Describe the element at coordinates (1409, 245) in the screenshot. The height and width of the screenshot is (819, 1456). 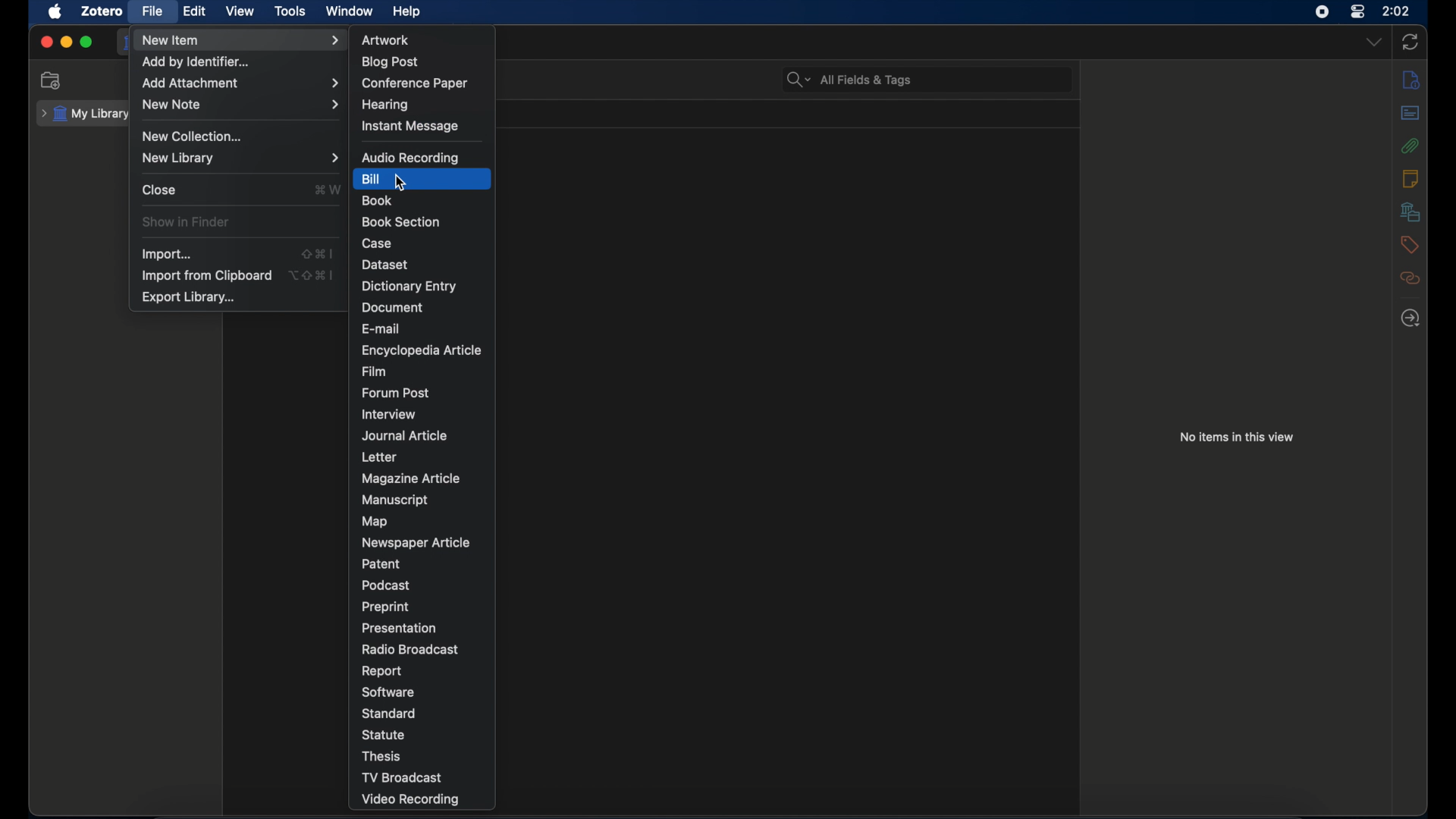
I see `tags` at that location.